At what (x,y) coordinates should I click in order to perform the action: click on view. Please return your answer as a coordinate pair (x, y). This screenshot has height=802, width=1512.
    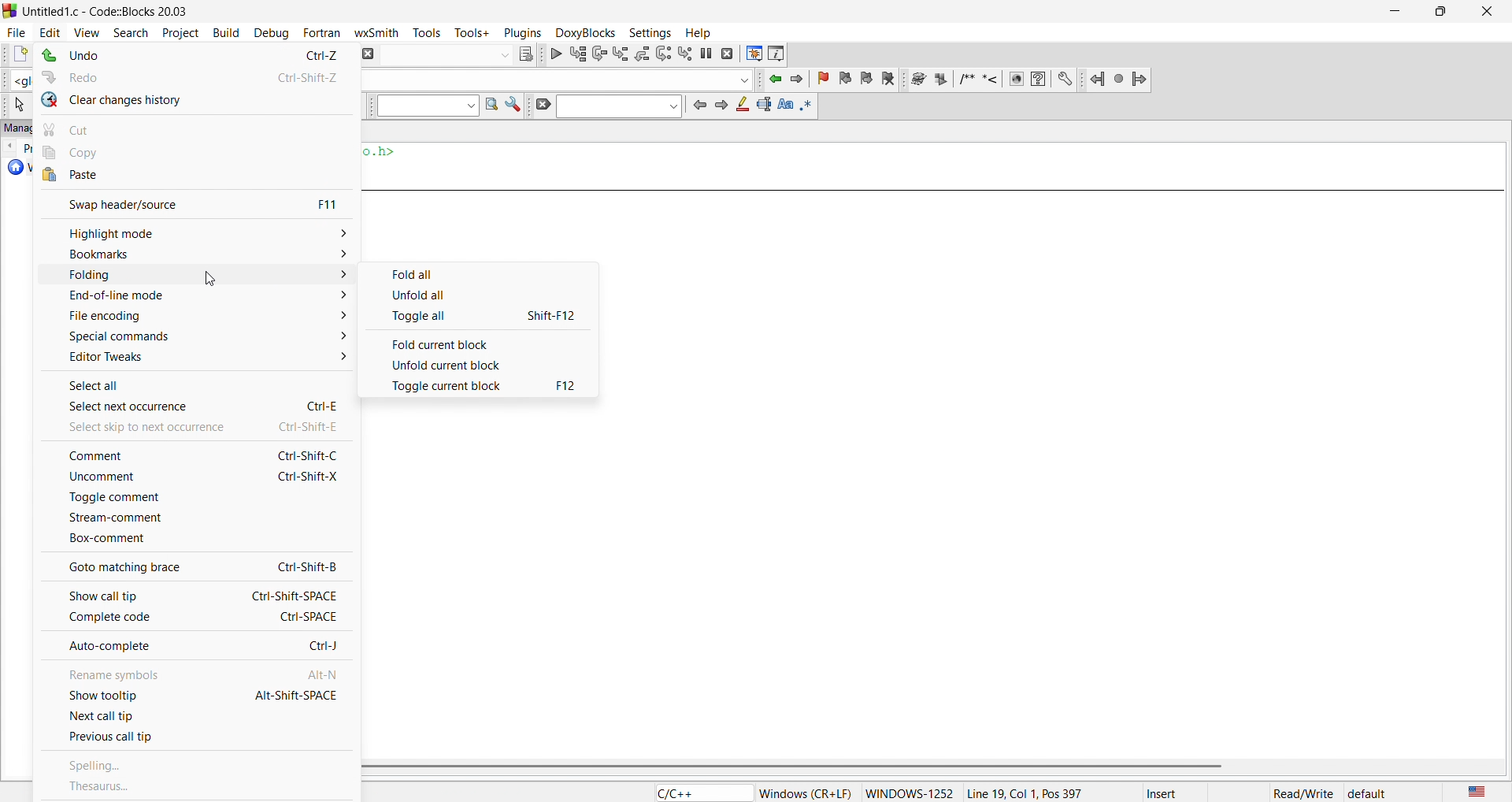
    Looking at the image, I should click on (87, 31).